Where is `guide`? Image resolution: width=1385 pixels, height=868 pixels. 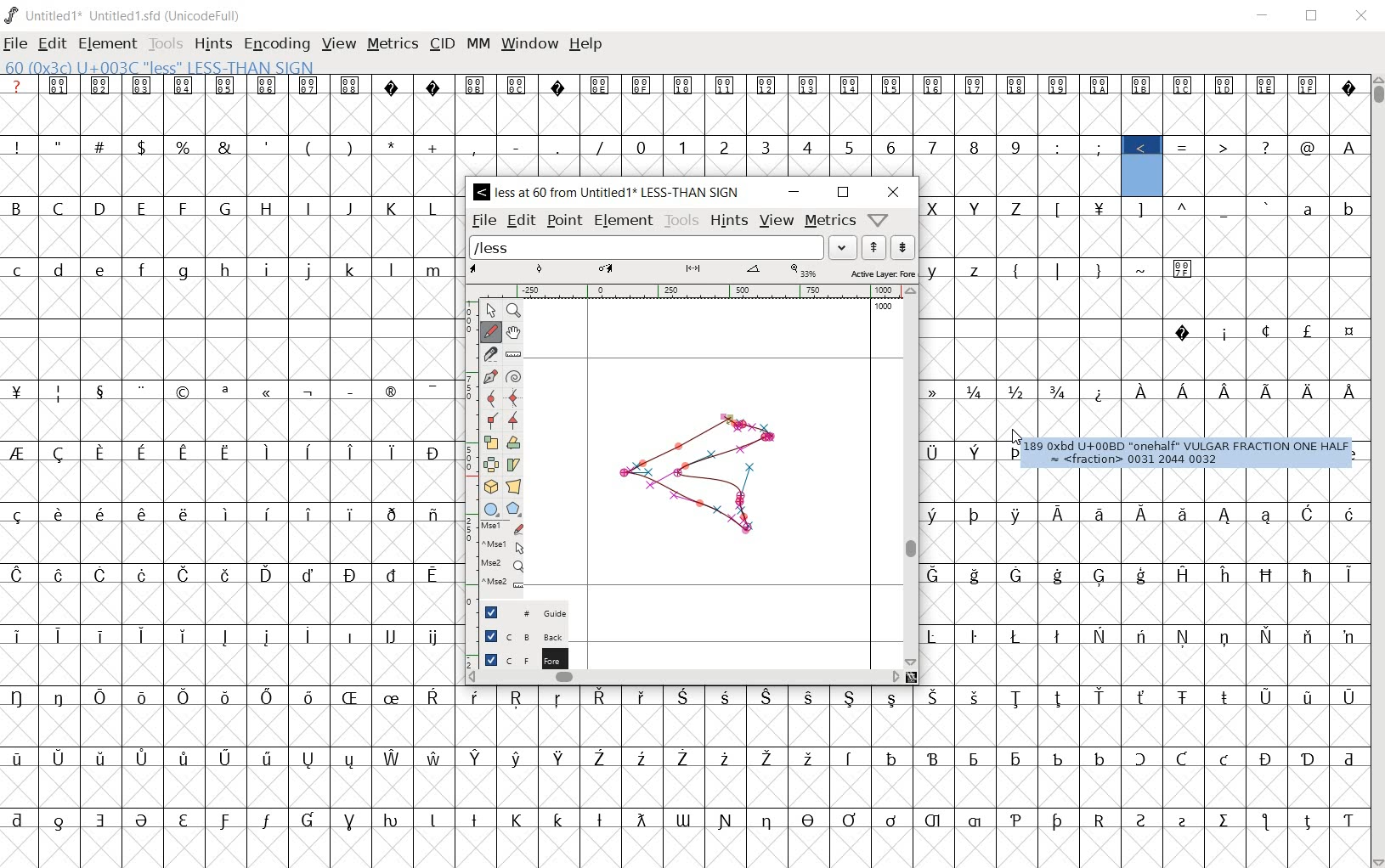
guide is located at coordinates (523, 612).